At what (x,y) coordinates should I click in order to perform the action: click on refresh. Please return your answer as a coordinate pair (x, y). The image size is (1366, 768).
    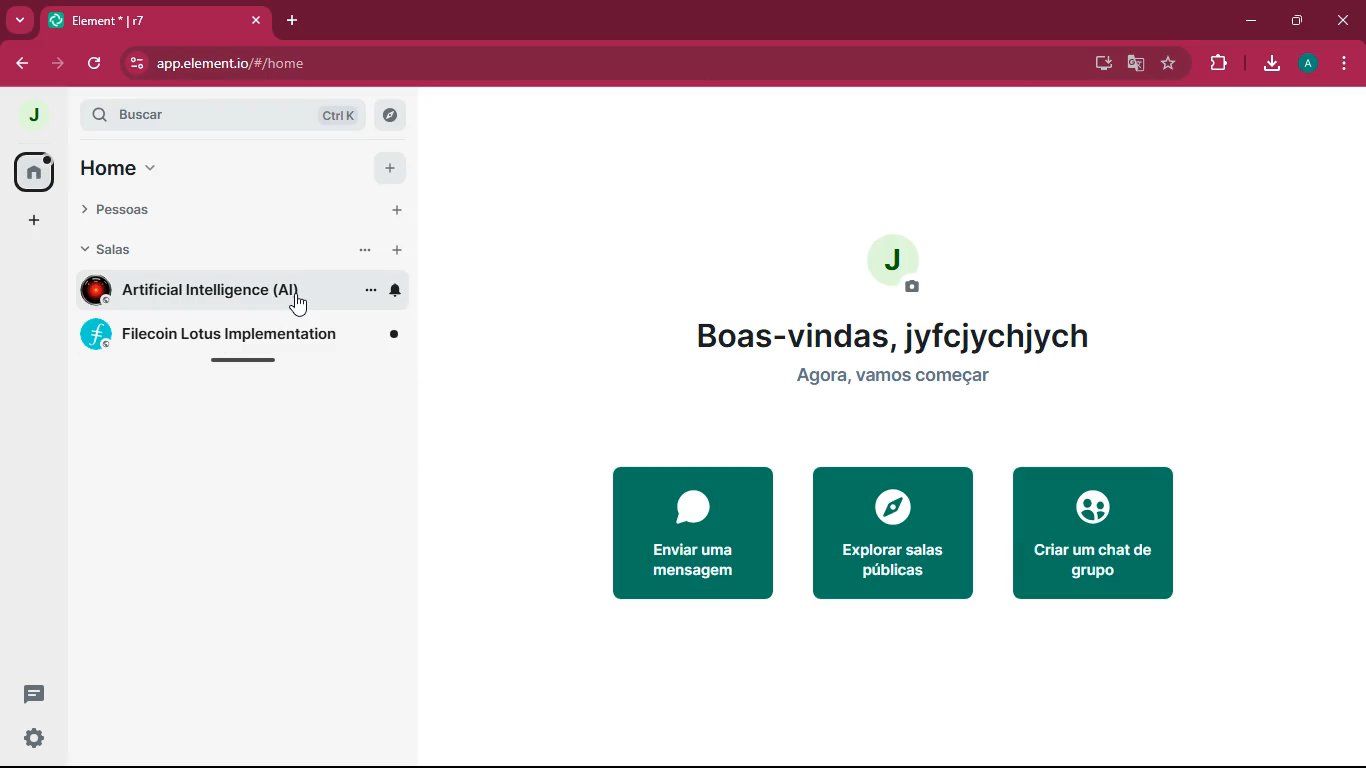
    Looking at the image, I should click on (97, 64).